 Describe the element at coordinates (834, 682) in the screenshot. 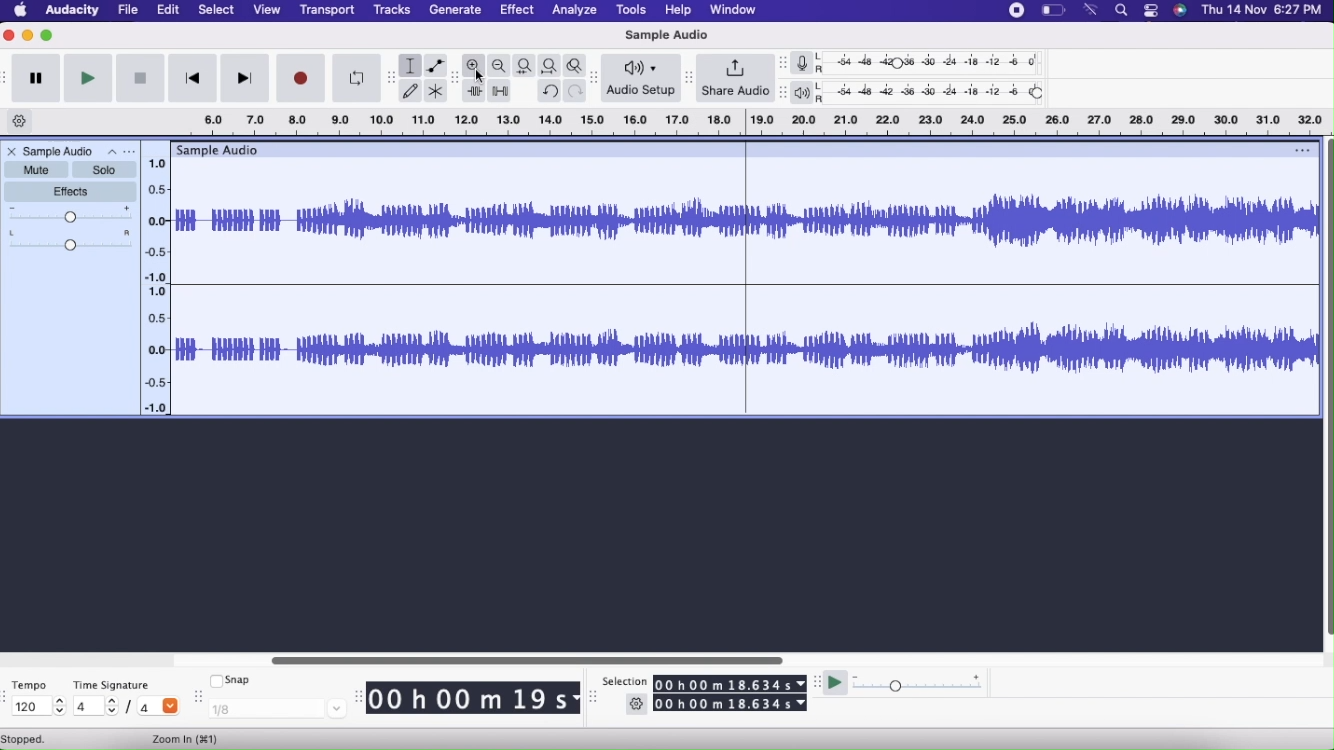

I see `Play at speed` at that location.